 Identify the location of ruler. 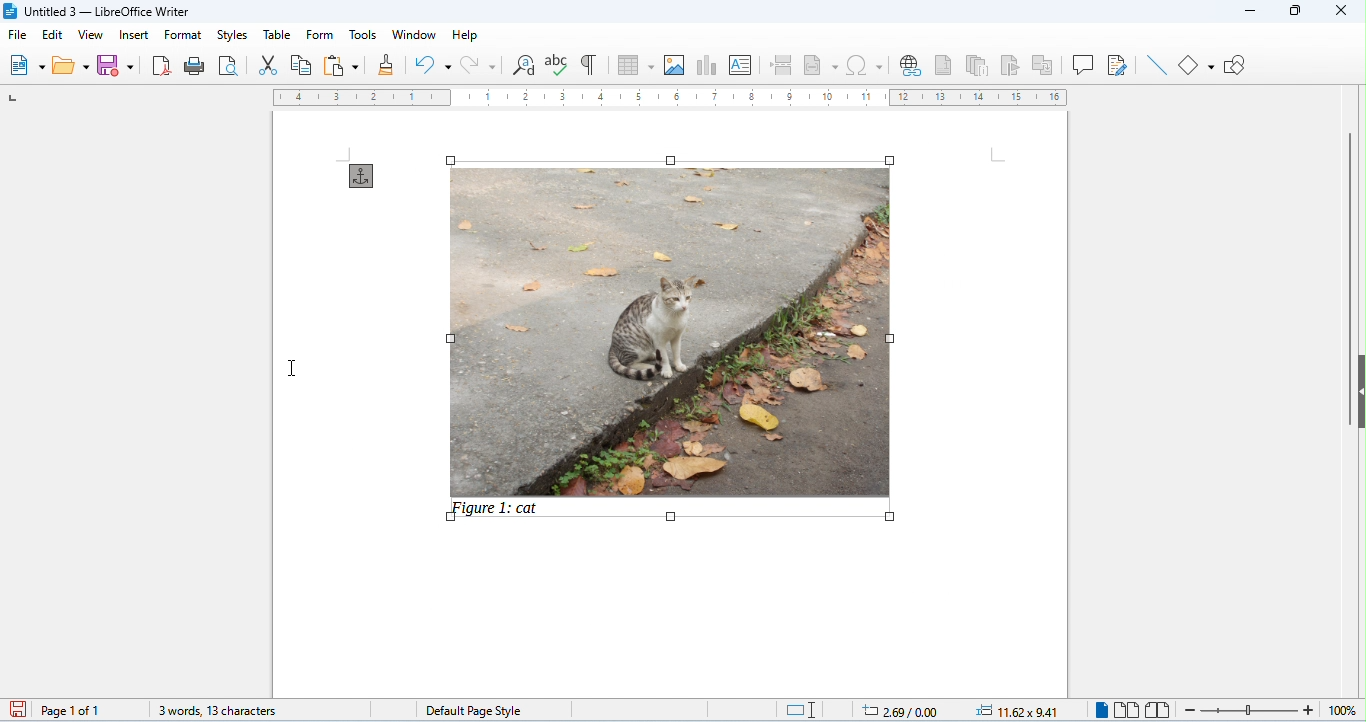
(671, 99).